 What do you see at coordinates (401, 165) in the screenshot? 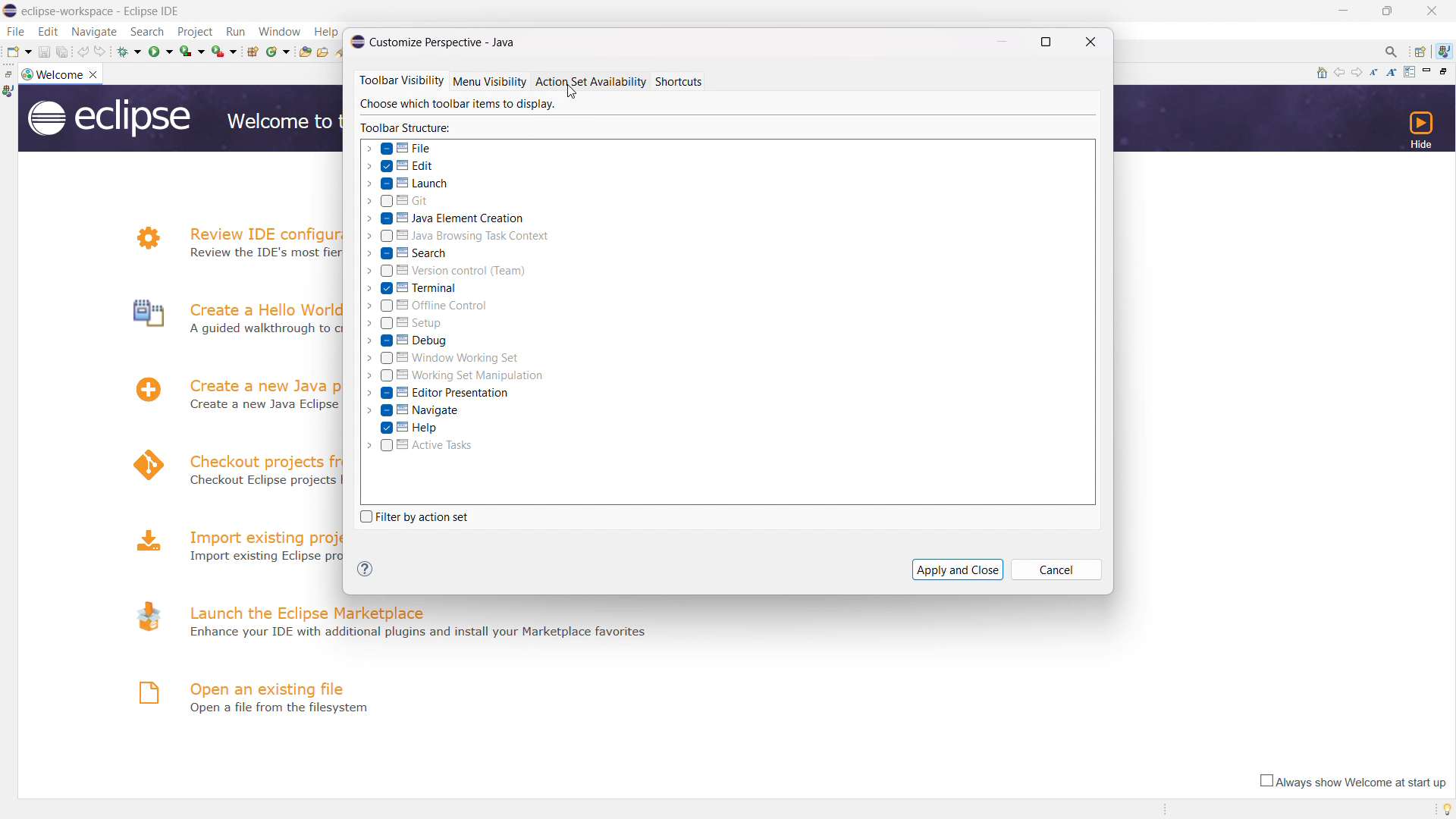
I see `edit` at bounding box center [401, 165].